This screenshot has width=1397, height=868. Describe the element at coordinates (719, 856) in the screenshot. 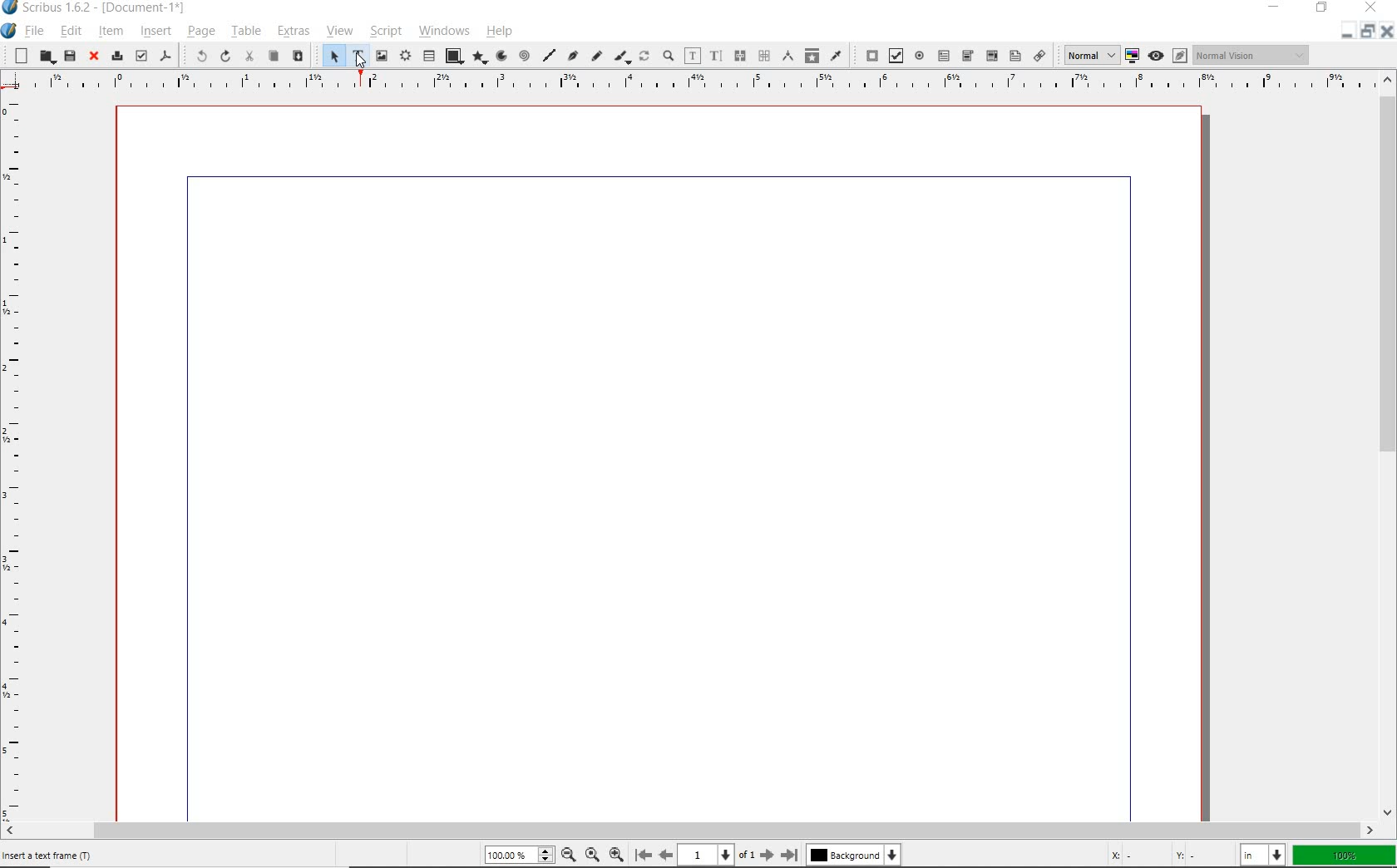

I see `1 of 1` at that location.